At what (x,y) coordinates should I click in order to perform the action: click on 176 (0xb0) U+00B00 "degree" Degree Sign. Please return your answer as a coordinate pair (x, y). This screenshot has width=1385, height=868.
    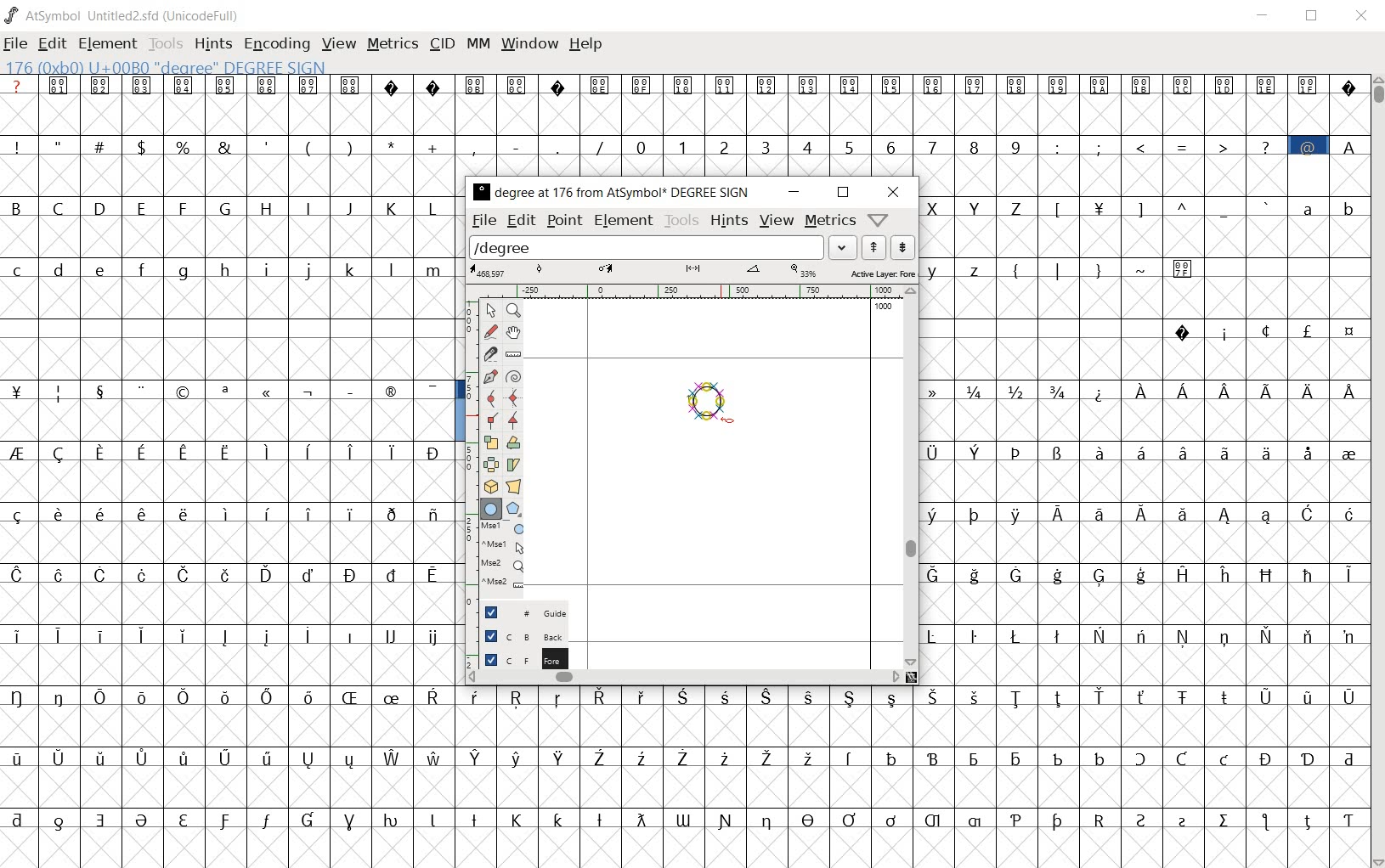
    Looking at the image, I should click on (170, 68).